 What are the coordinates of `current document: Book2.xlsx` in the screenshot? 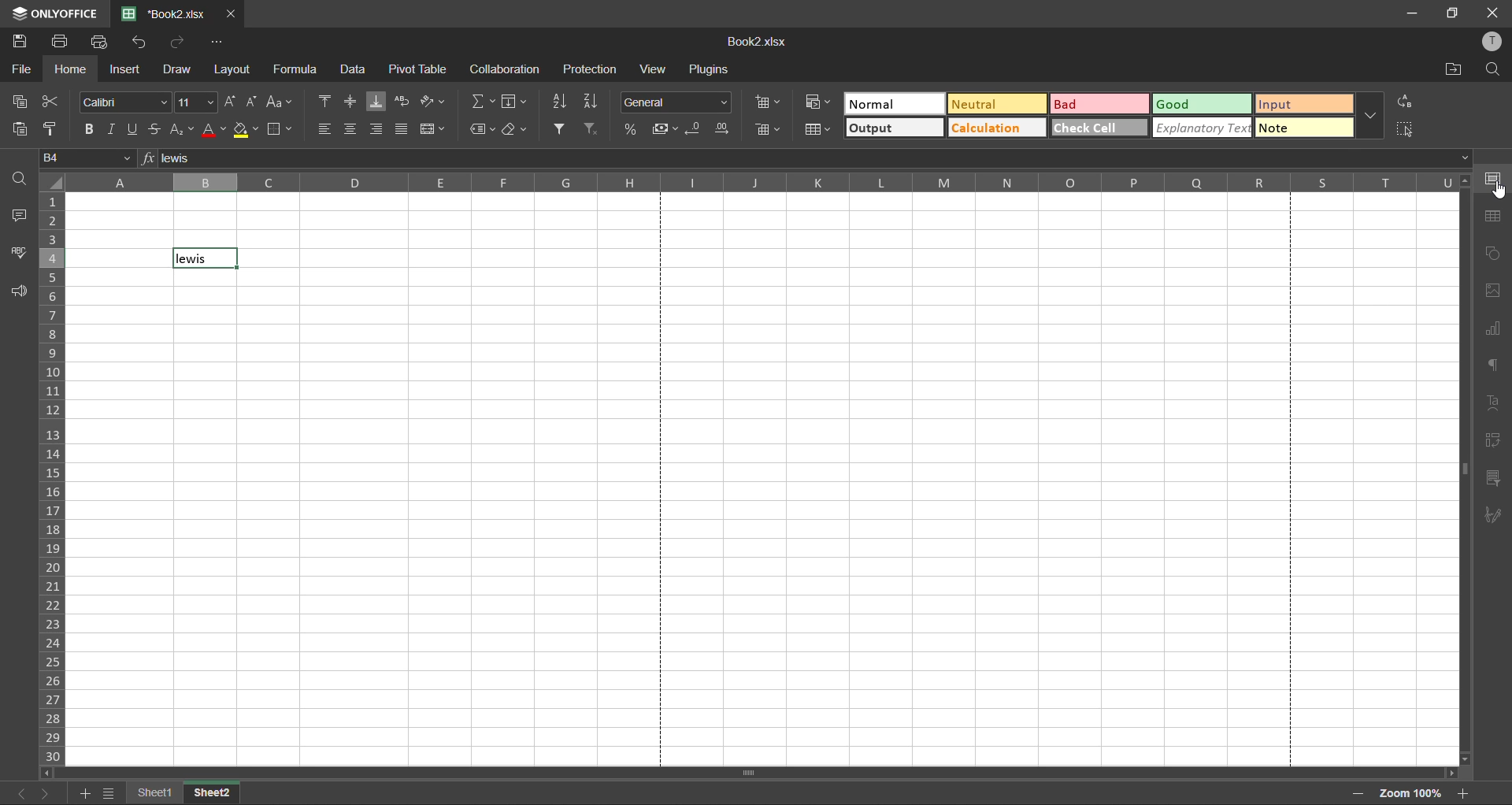 It's located at (163, 13).